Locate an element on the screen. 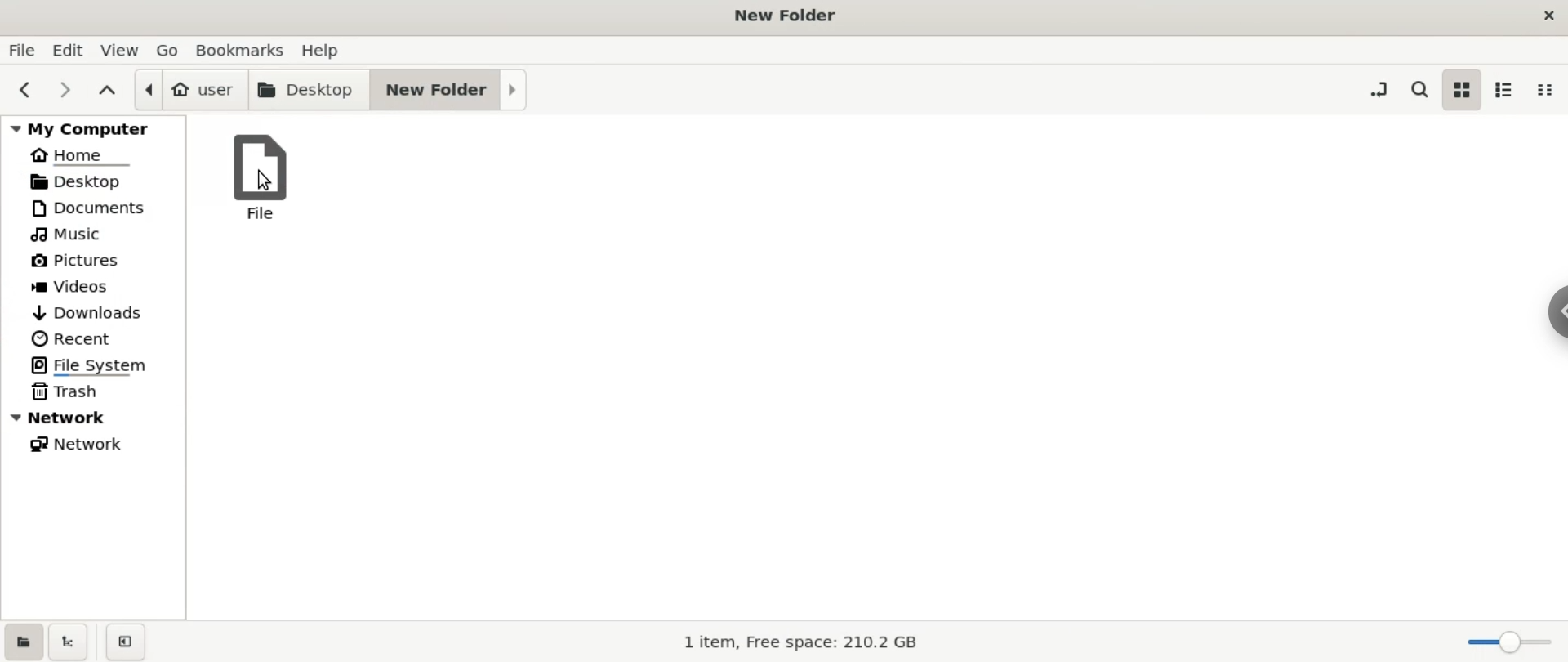  user is located at coordinates (190, 90).